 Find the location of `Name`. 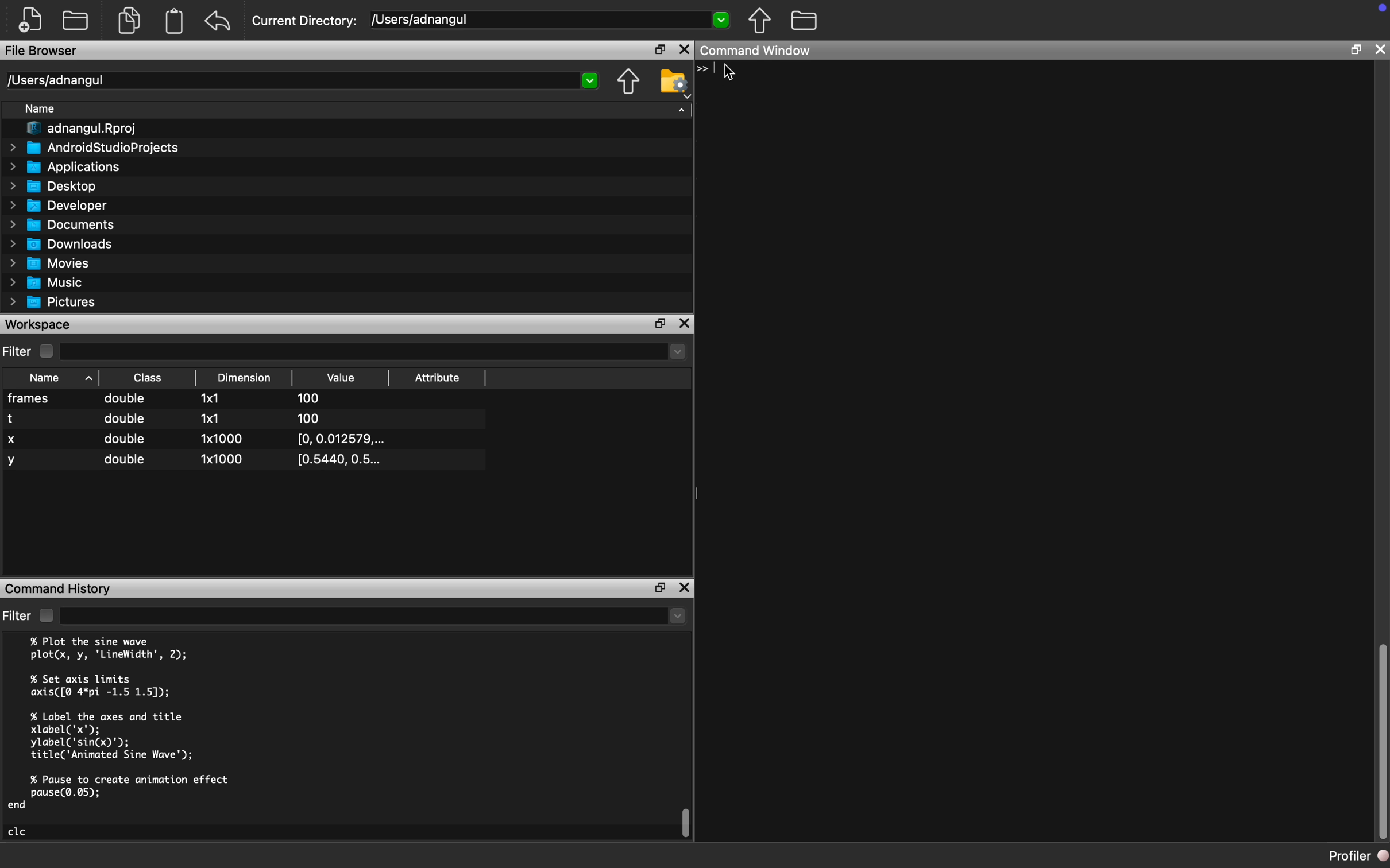

Name is located at coordinates (45, 378).